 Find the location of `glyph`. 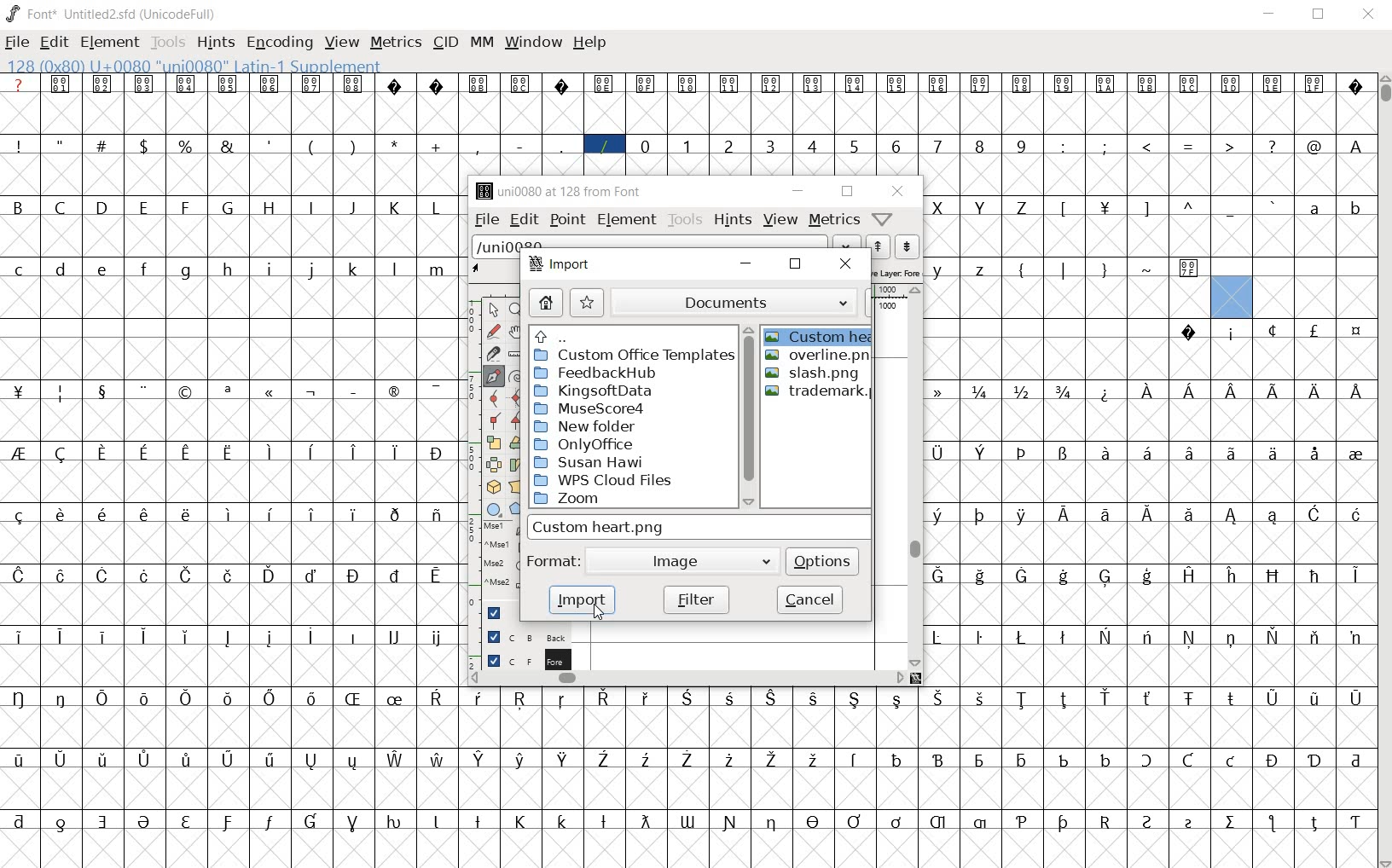

glyph is located at coordinates (310, 84).